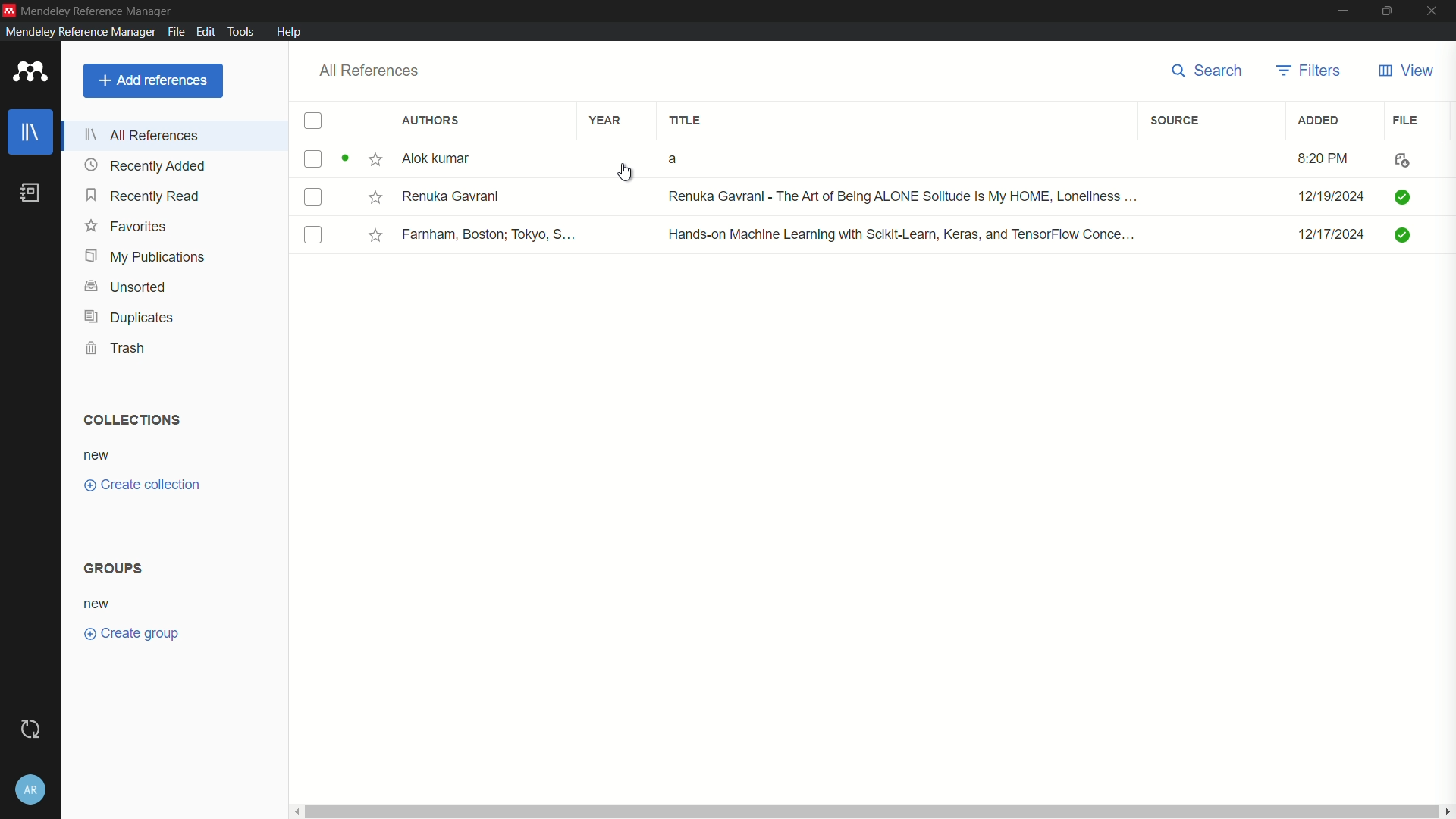 The height and width of the screenshot is (819, 1456). I want to click on account and help, so click(33, 789).